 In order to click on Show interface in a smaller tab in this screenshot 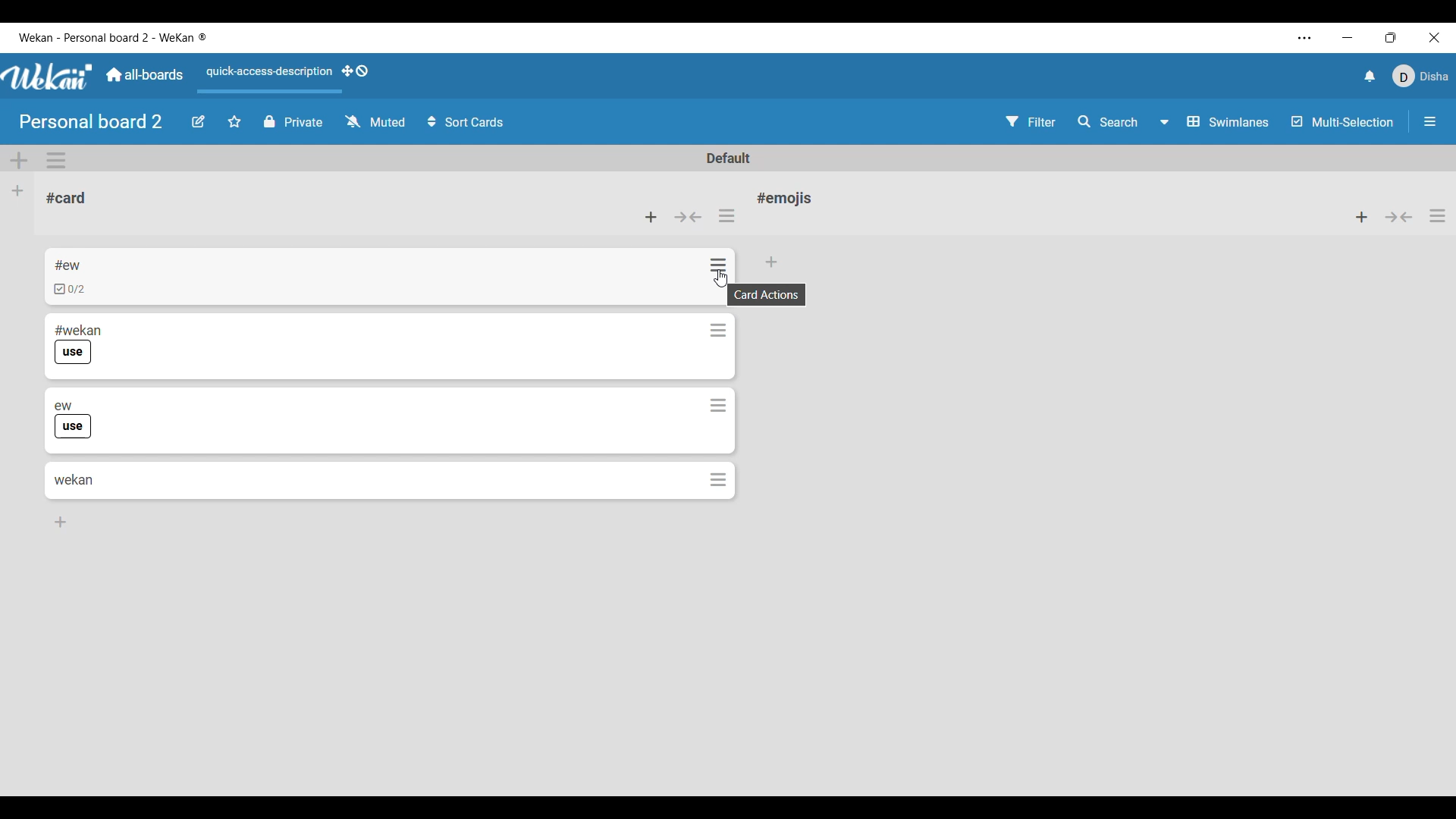, I will do `click(1391, 37)`.